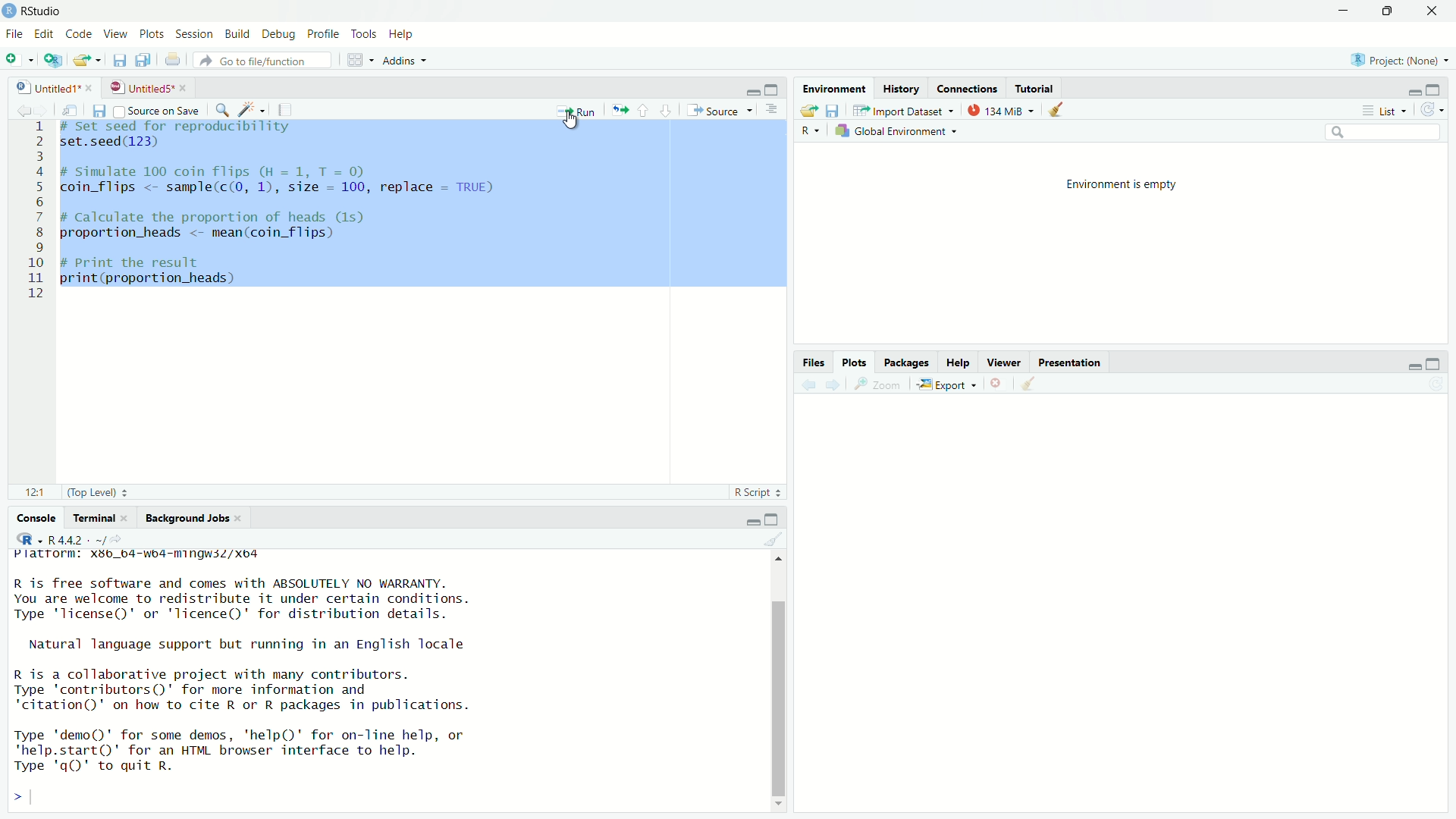 This screenshot has width=1456, height=819. I want to click on debug, so click(281, 35).